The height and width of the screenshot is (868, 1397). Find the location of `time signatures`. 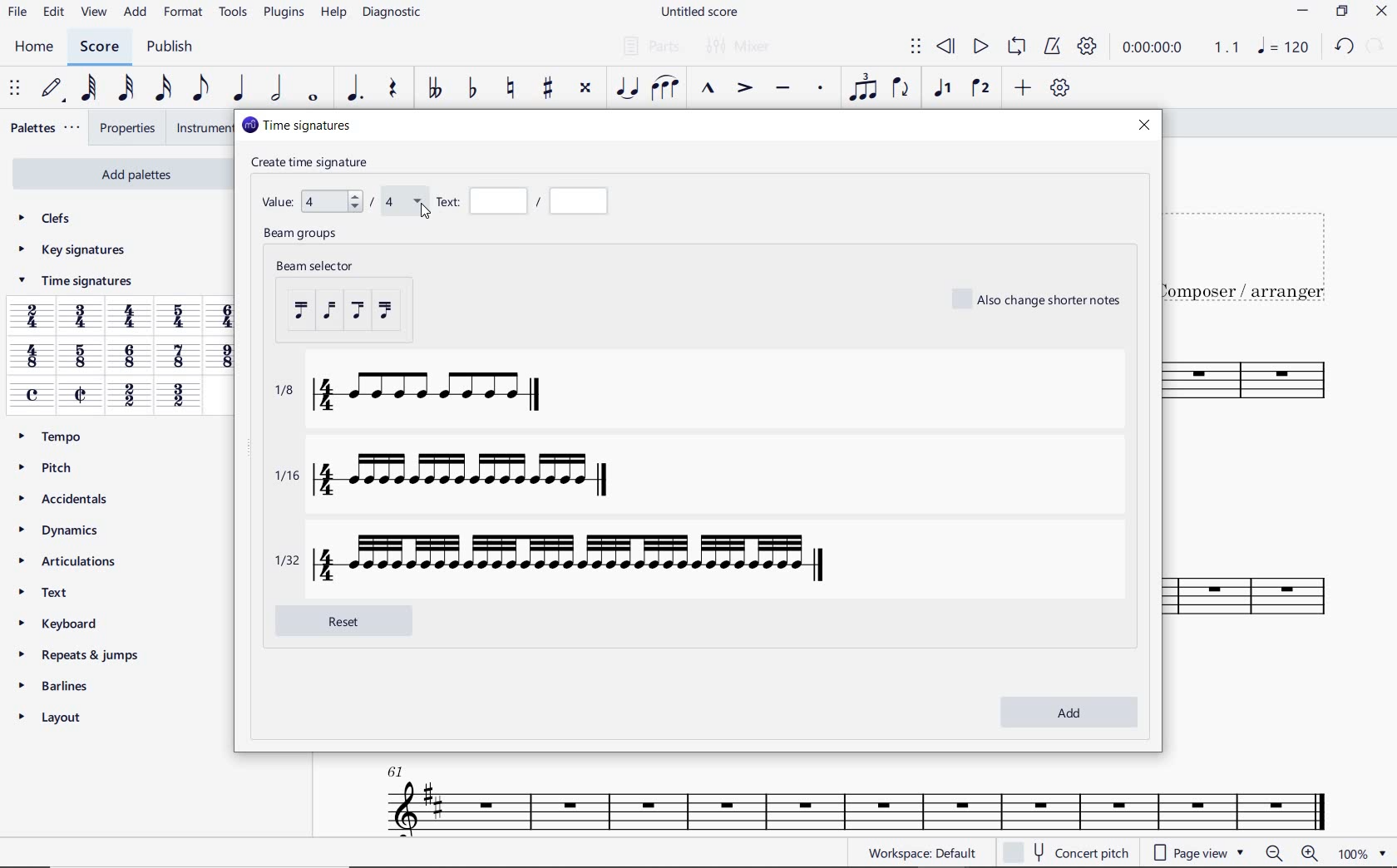

time signatures is located at coordinates (295, 125).